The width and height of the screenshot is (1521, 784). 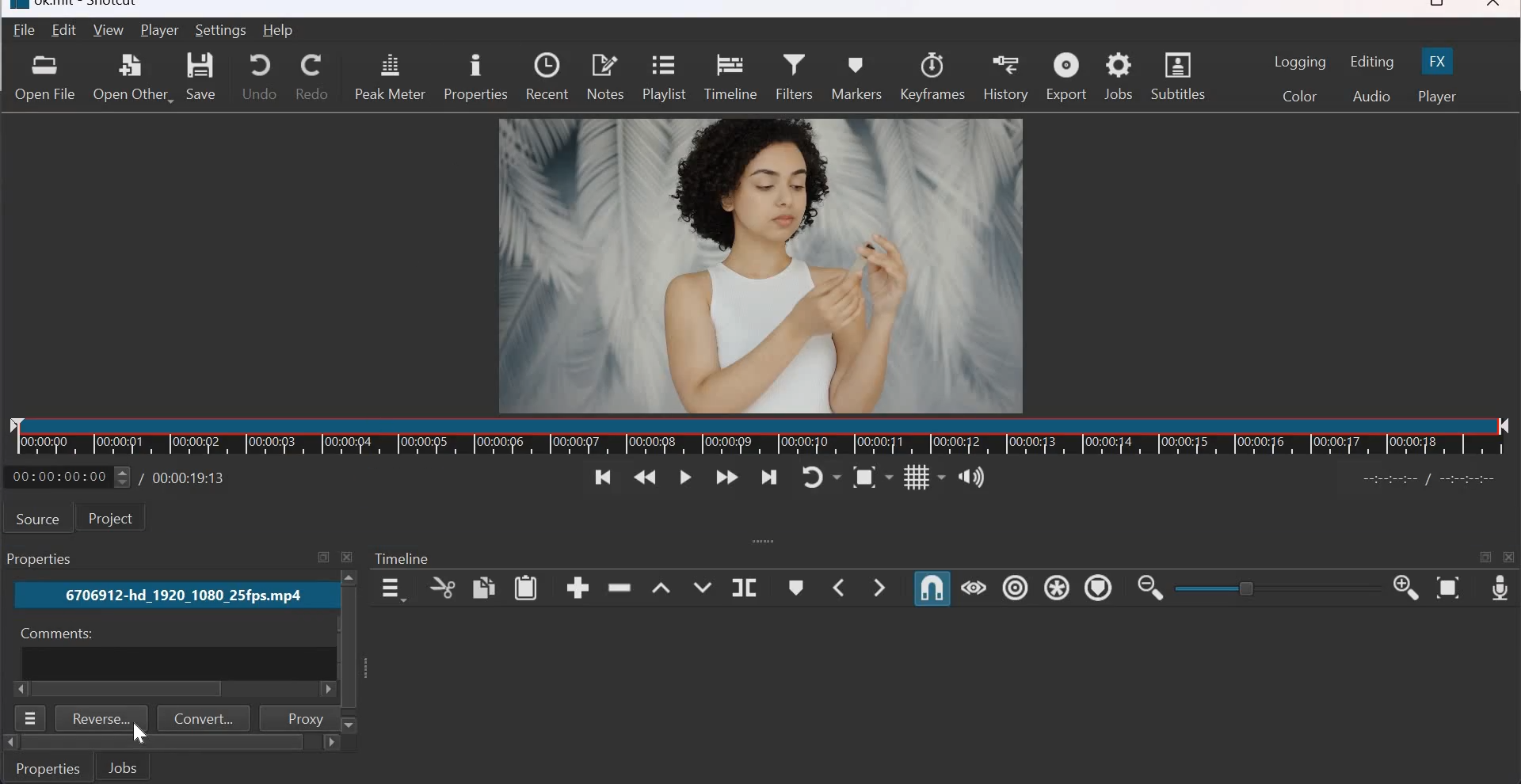 What do you see at coordinates (325, 691) in the screenshot?
I see `scroll left` at bounding box center [325, 691].